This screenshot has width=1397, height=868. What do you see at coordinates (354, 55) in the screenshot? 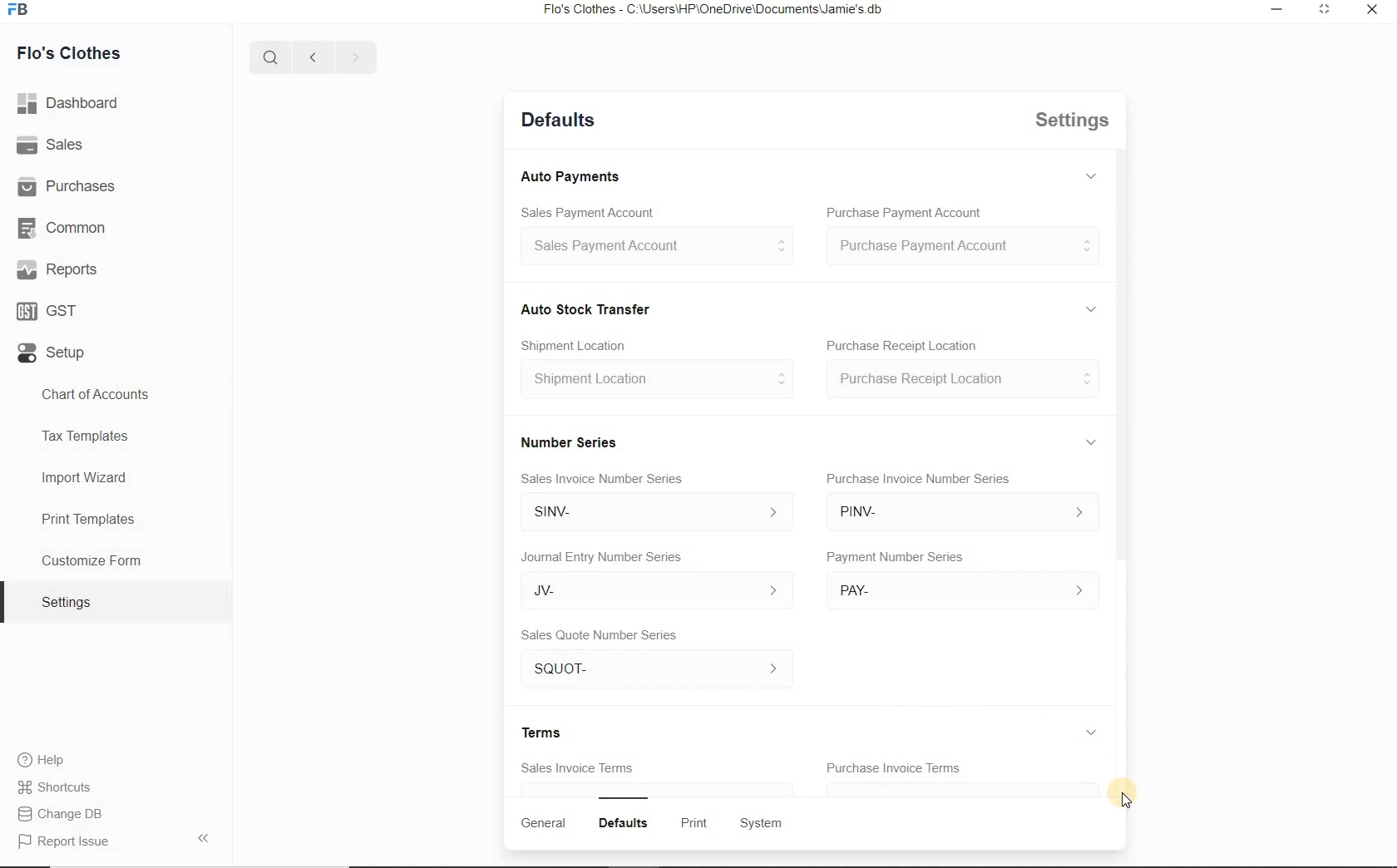
I see `Forward` at bounding box center [354, 55].